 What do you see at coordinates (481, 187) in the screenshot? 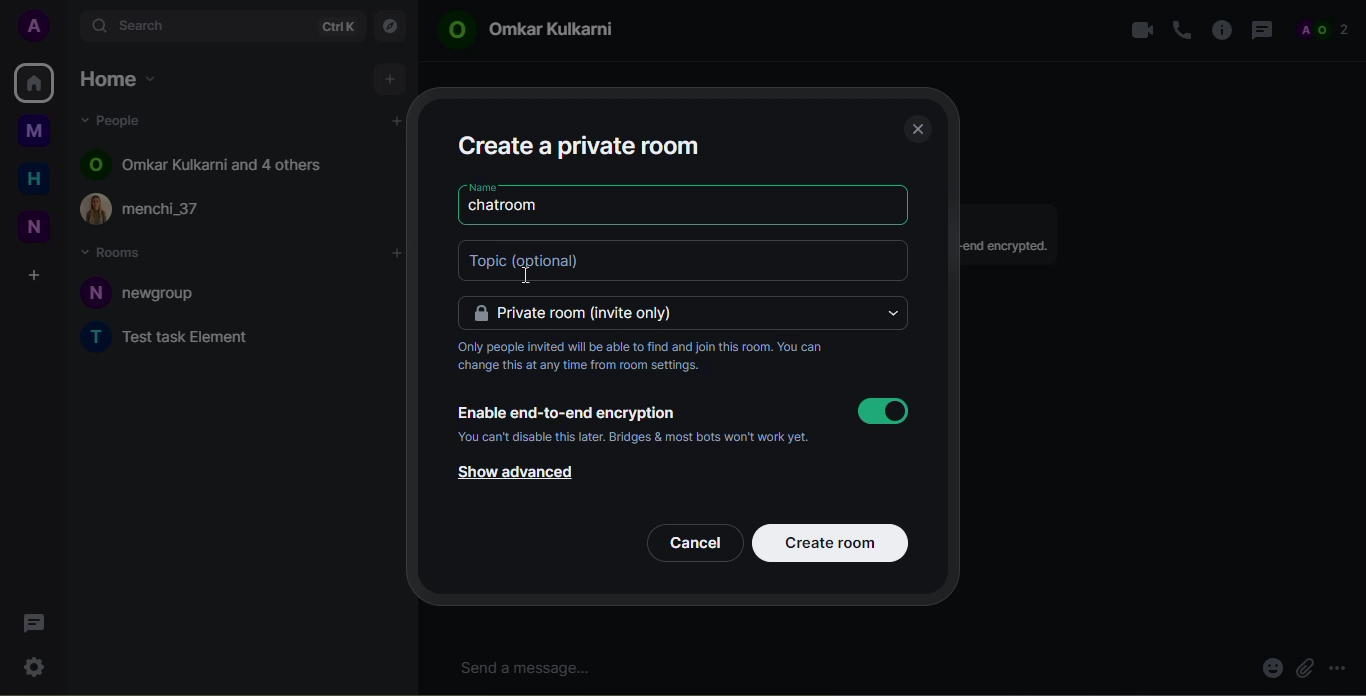
I see `name` at bounding box center [481, 187].